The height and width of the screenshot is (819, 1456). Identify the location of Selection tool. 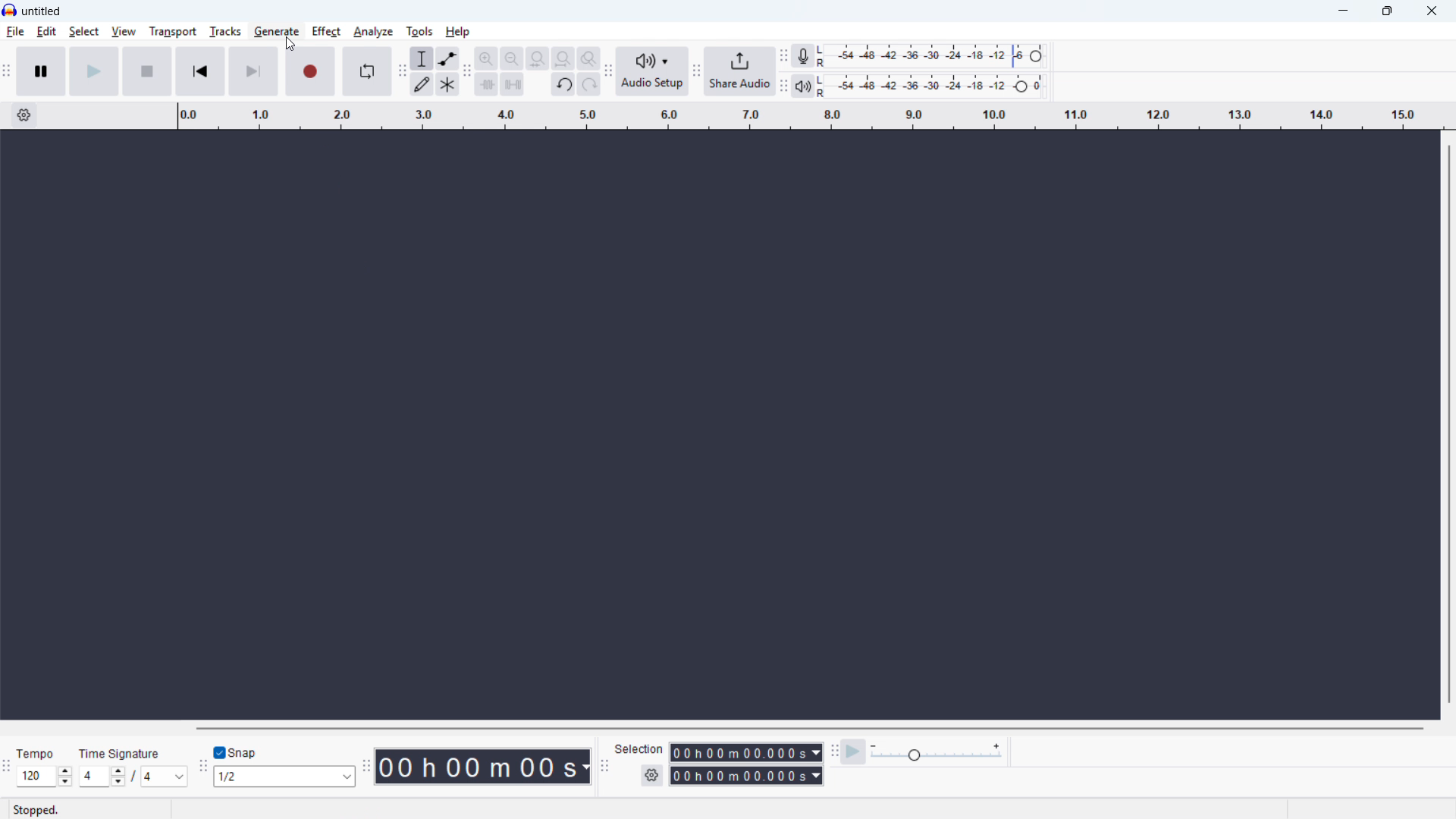
(422, 58).